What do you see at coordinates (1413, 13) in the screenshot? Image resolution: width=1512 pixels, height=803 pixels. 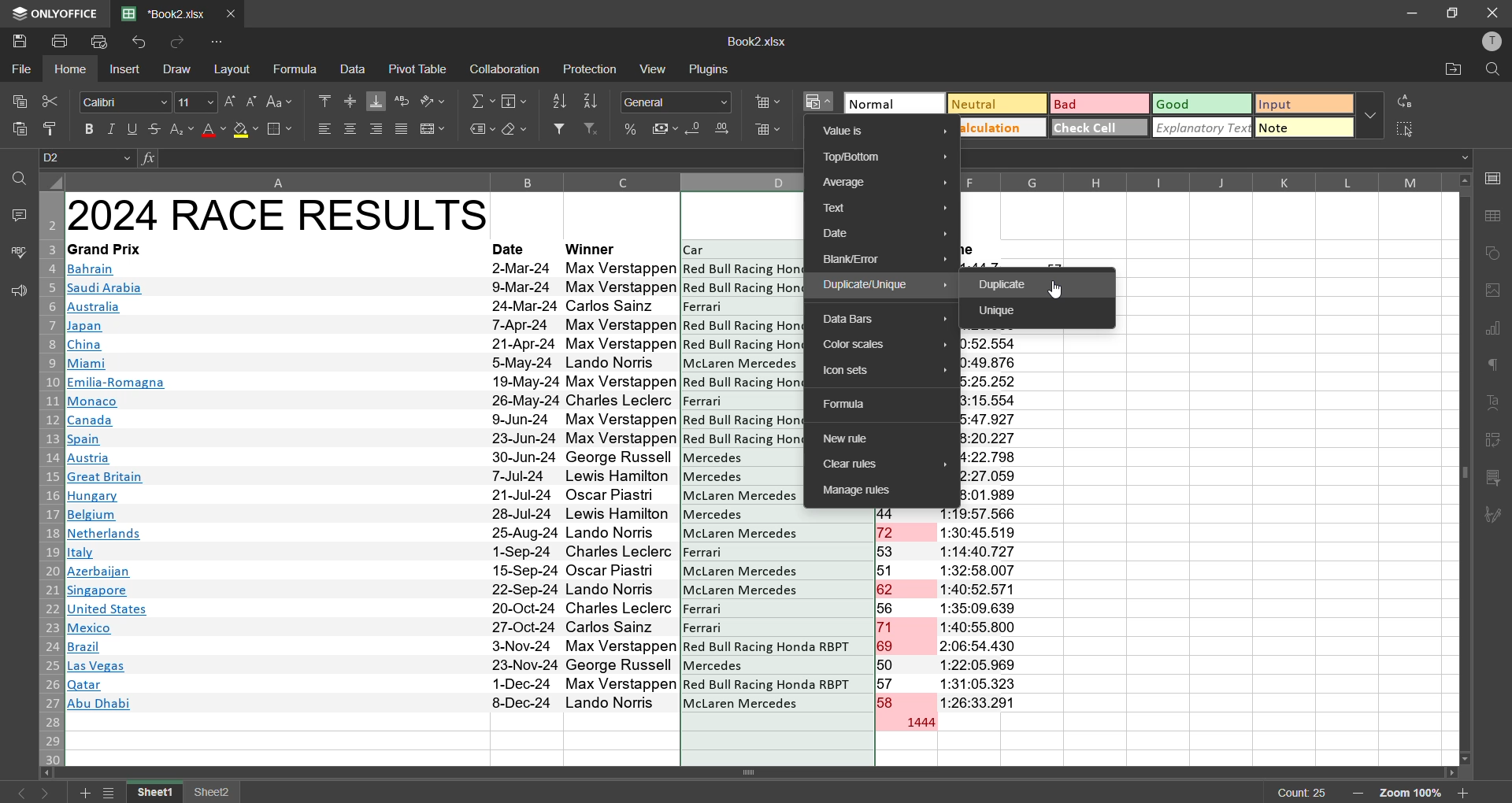 I see `minimize` at bounding box center [1413, 13].